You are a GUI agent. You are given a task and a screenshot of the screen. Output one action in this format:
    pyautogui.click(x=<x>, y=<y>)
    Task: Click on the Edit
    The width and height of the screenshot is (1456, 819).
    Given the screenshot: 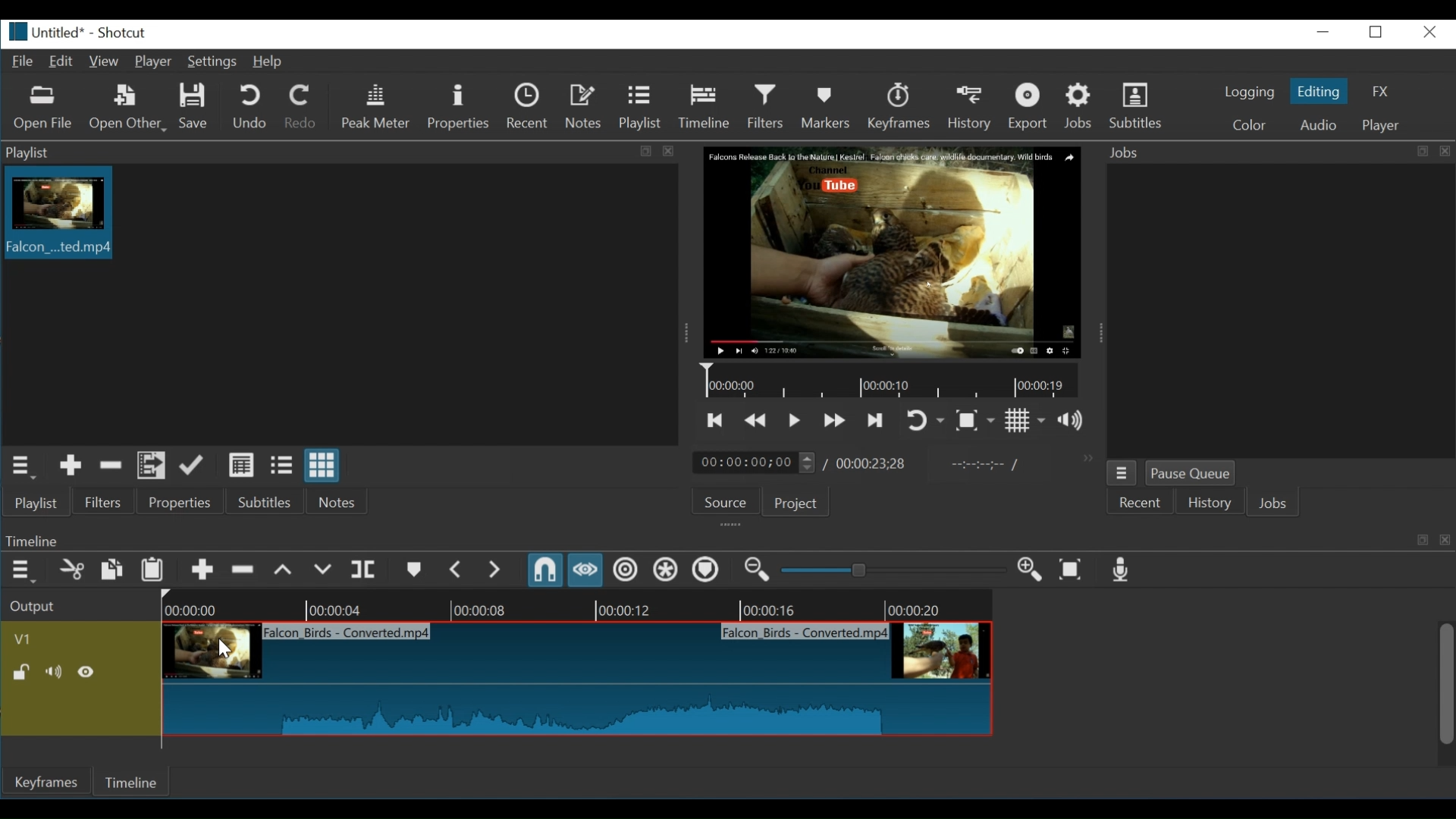 What is the action you would take?
    pyautogui.click(x=61, y=62)
    